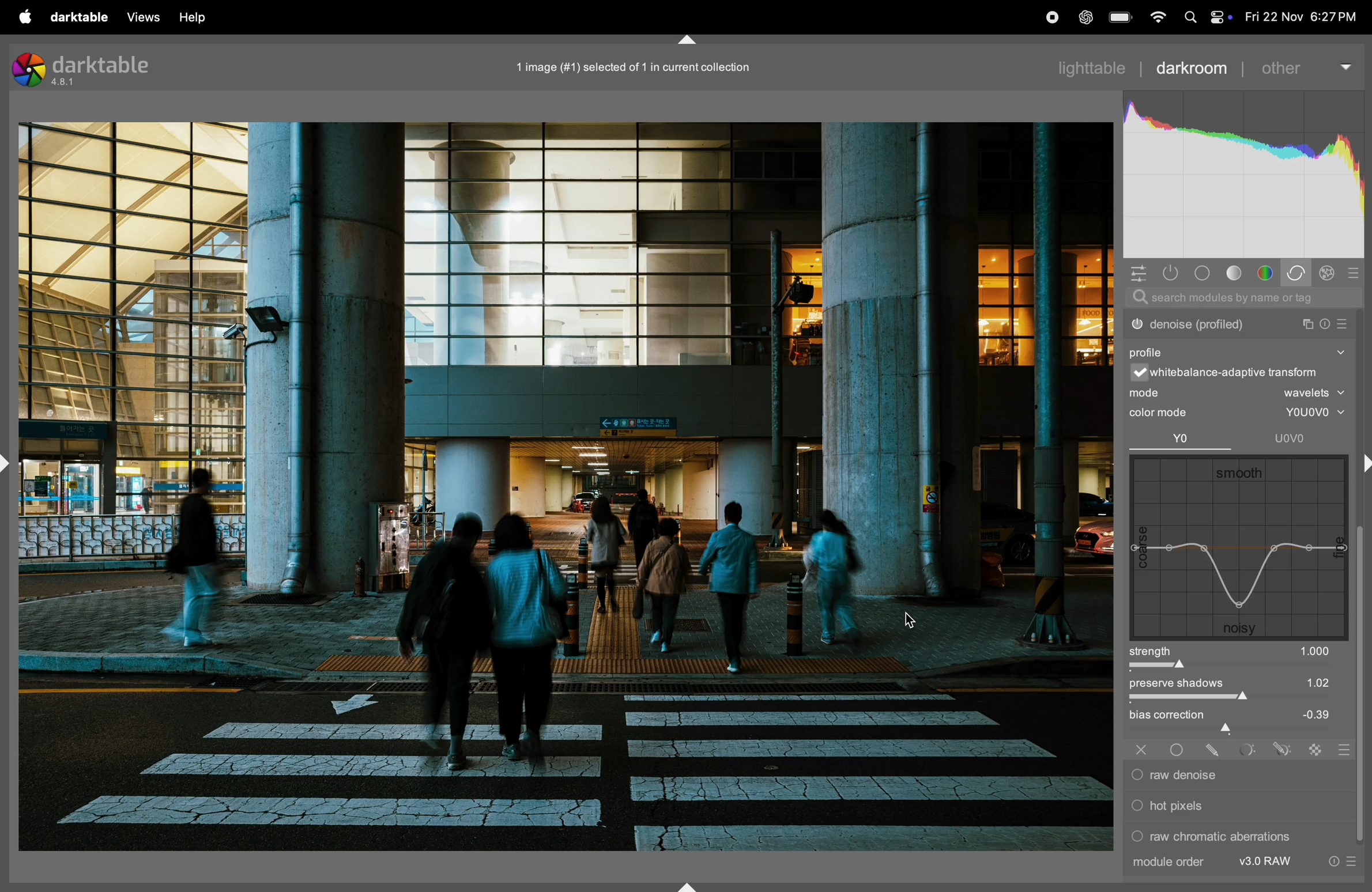  What do you see at coordinates (1356, 861) in the screenshot?
I see `presets` at bounding box center [1356, 861].